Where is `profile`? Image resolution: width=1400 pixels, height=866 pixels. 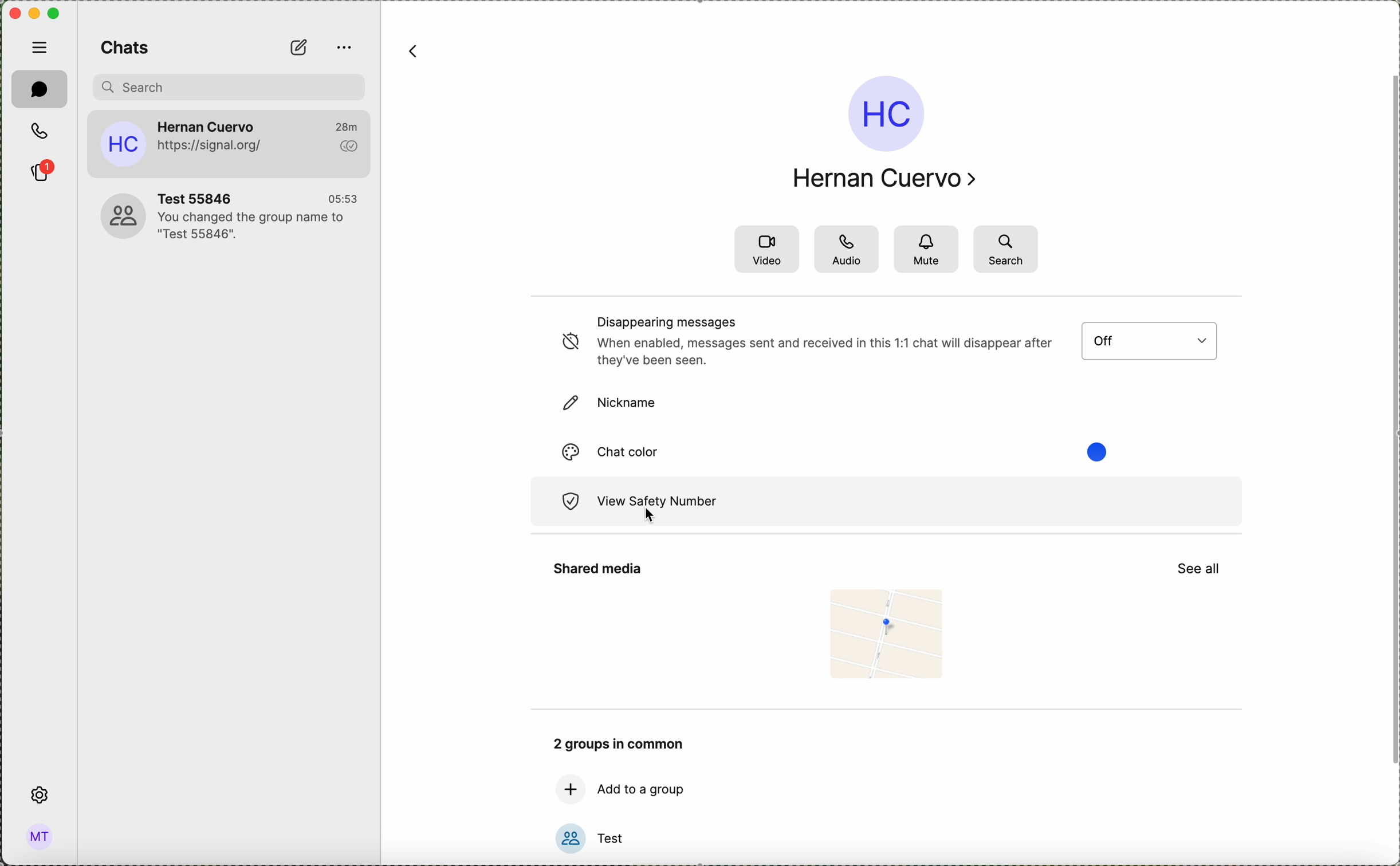
profile is located at coordinates (567, 840).